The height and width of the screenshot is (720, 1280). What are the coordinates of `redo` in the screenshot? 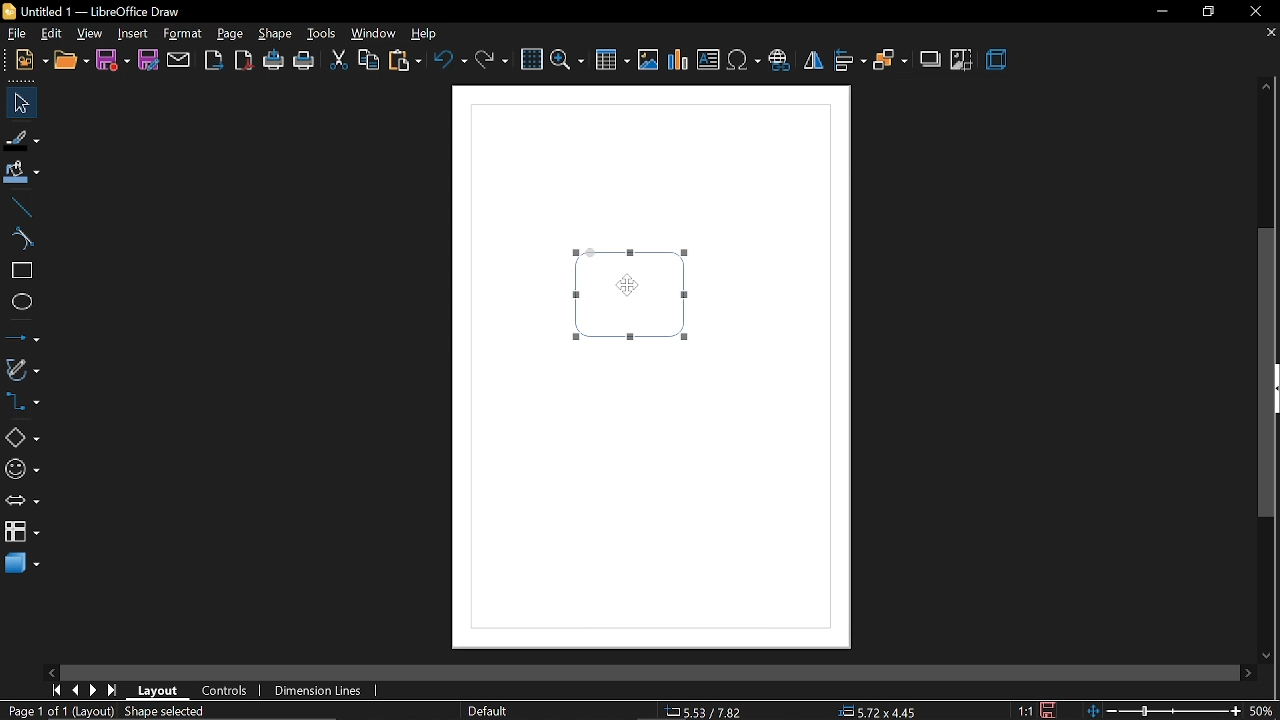 It's located at (491, 65).